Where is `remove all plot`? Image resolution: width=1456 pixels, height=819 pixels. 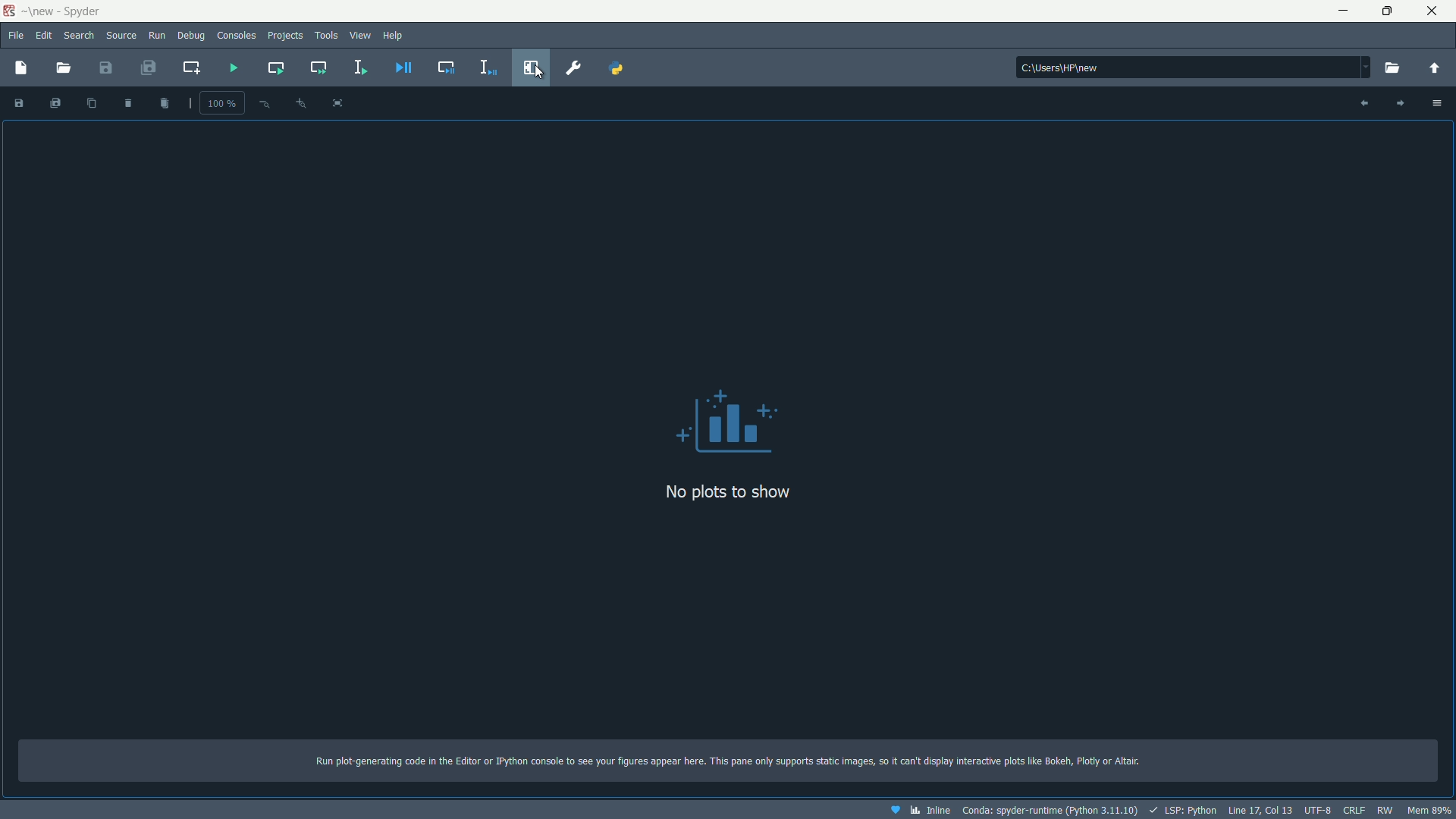
remove all plot is located at coordinates (167, 103).